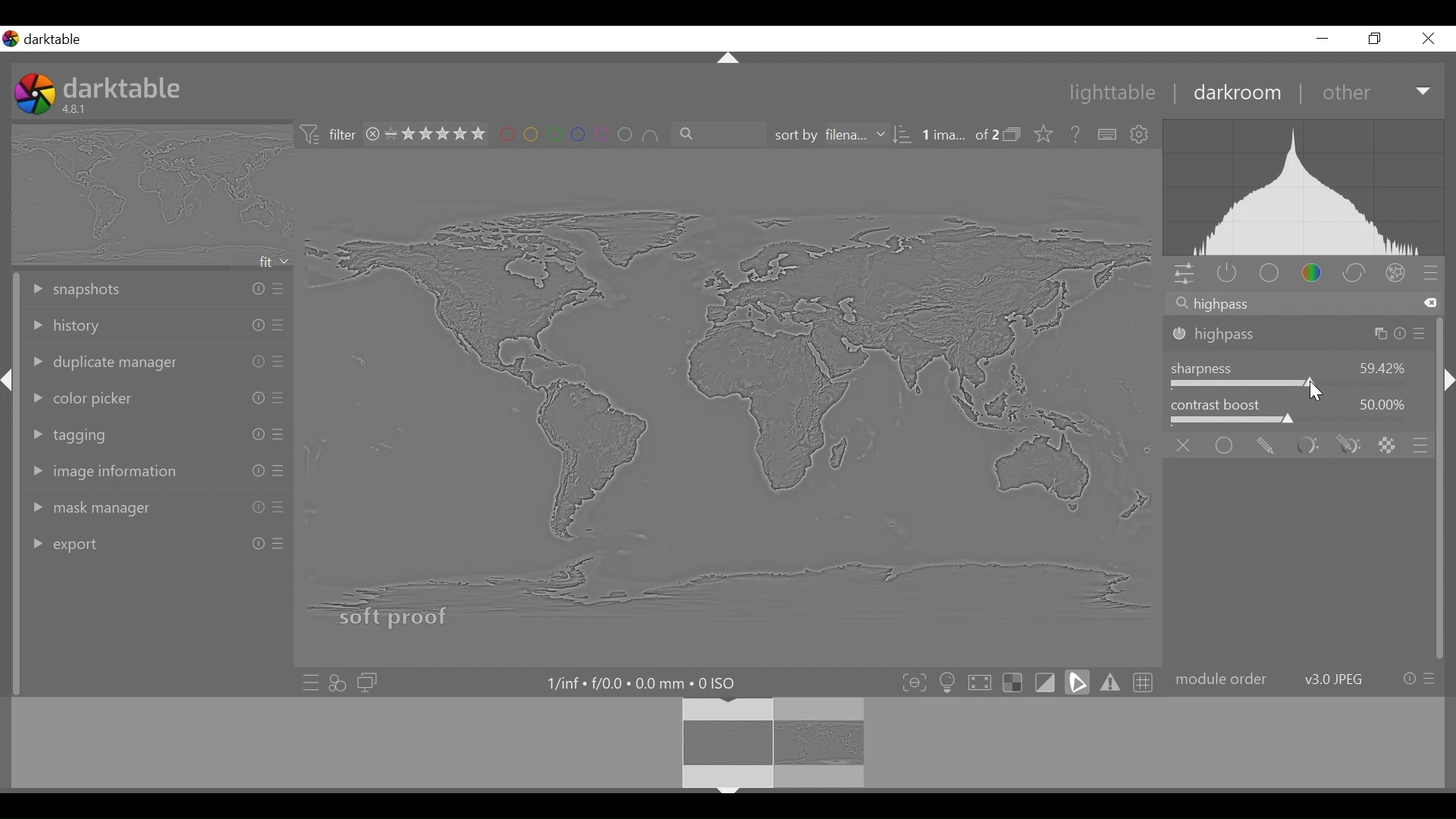 This screenshot has width=1456, height=819. Describe the element at coordinates (1313, 393) in the screenshot. I see `Cursor` at that location.